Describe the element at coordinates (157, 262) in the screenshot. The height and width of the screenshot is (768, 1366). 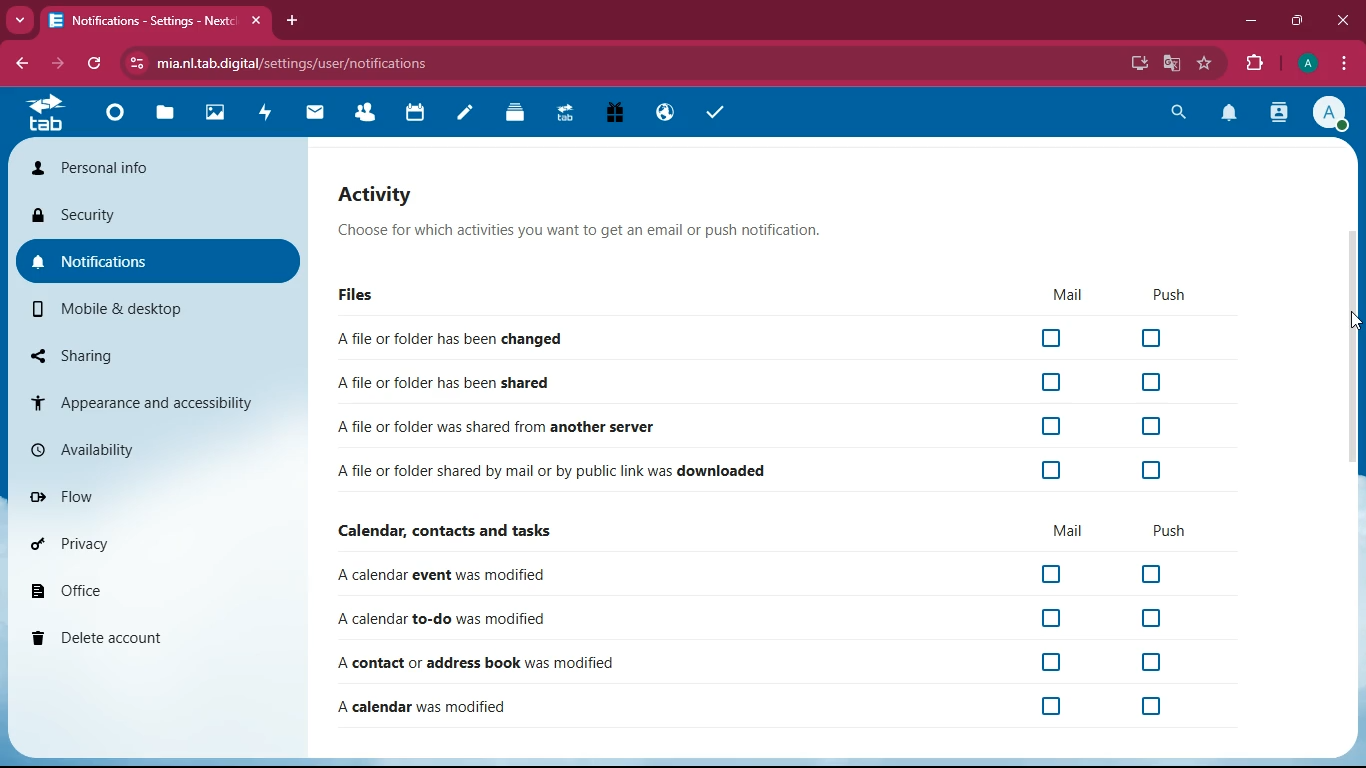
I see `notifications` at that location.